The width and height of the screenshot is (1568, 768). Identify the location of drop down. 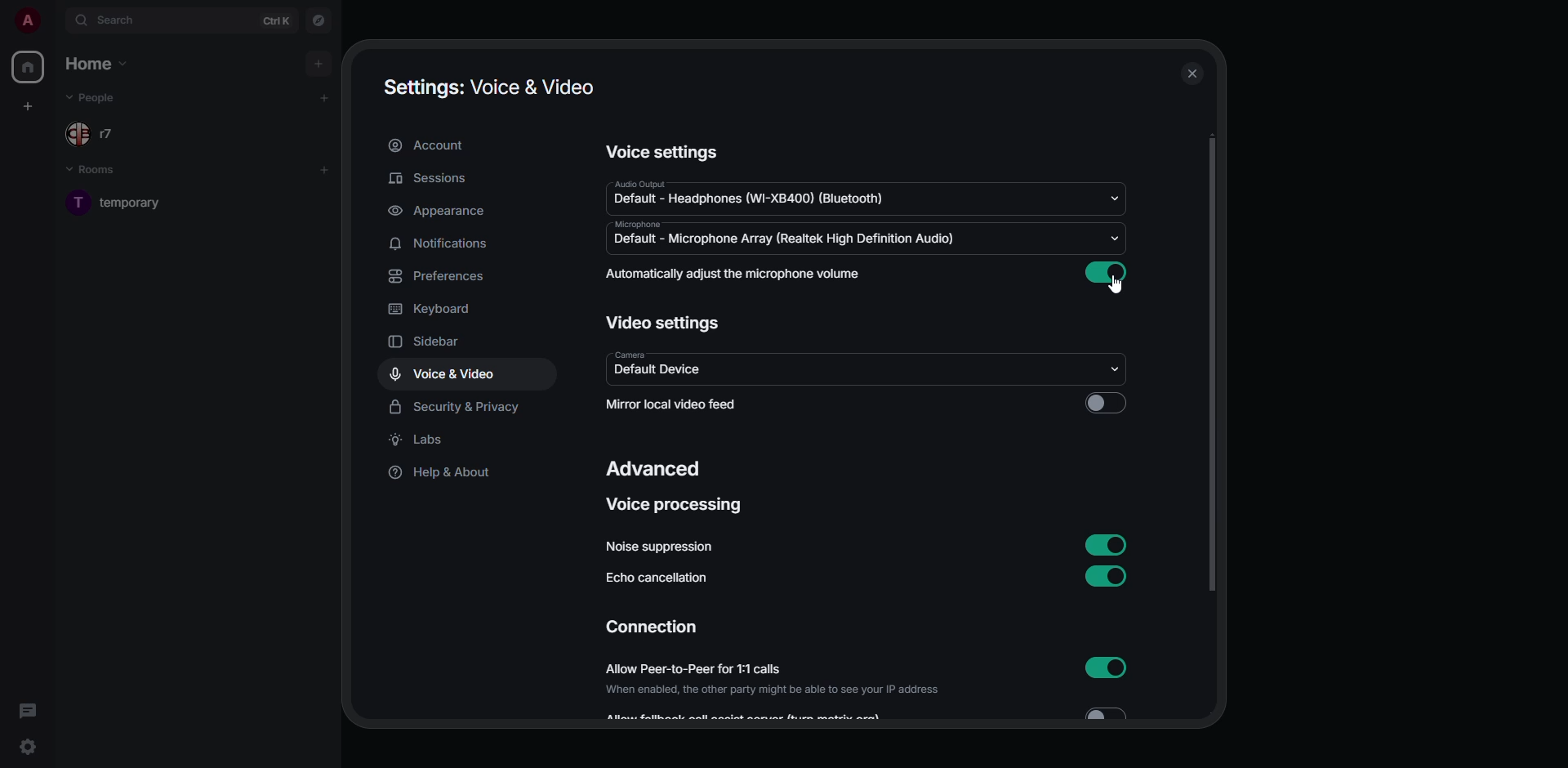
(1112, 368).